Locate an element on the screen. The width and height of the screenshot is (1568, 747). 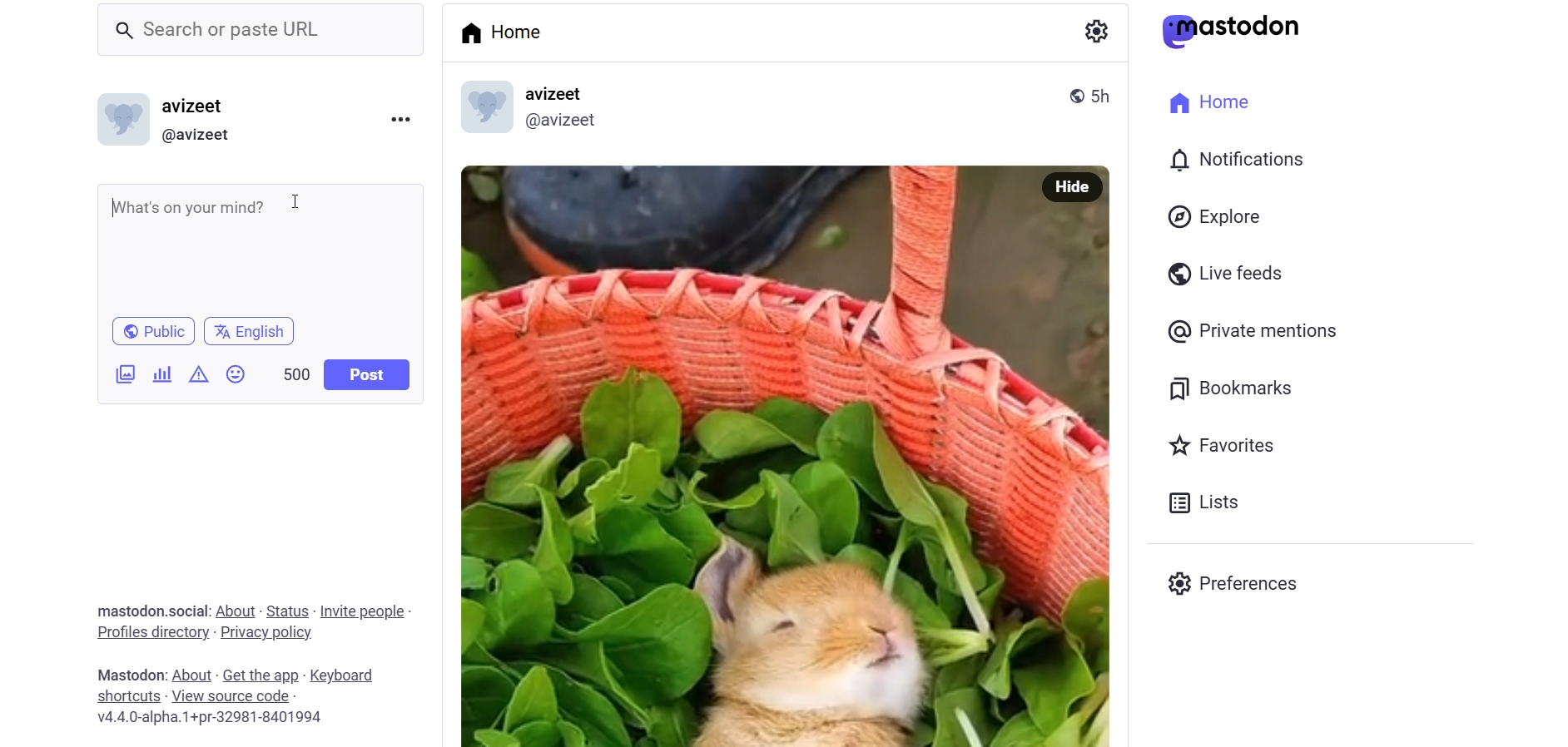
about is located at coordinates (234, 611).